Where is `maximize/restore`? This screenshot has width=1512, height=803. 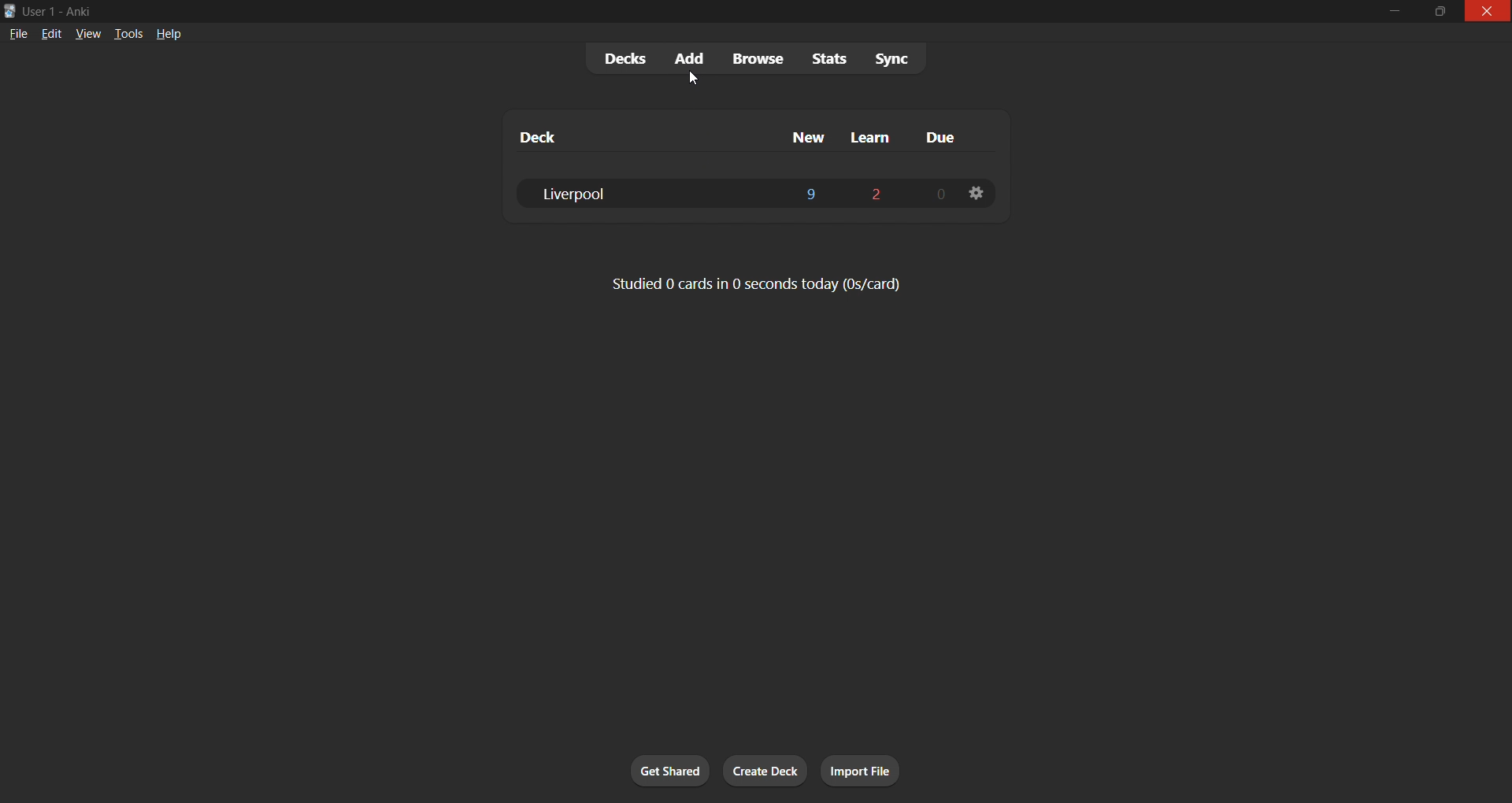
maximize/restore is located at coordinates (1436, 12).